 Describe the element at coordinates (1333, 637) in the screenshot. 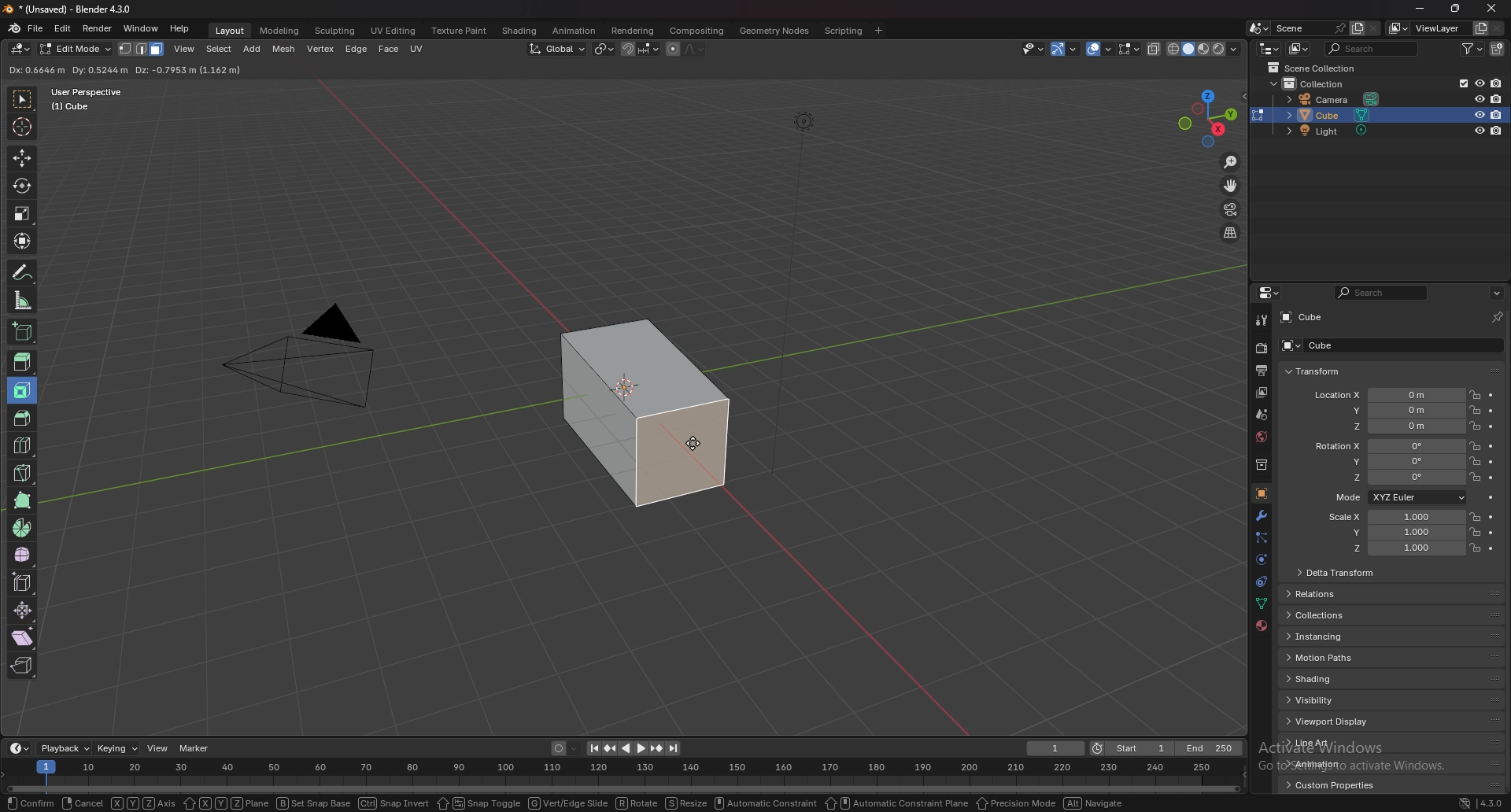

I see `instancing` at that location.